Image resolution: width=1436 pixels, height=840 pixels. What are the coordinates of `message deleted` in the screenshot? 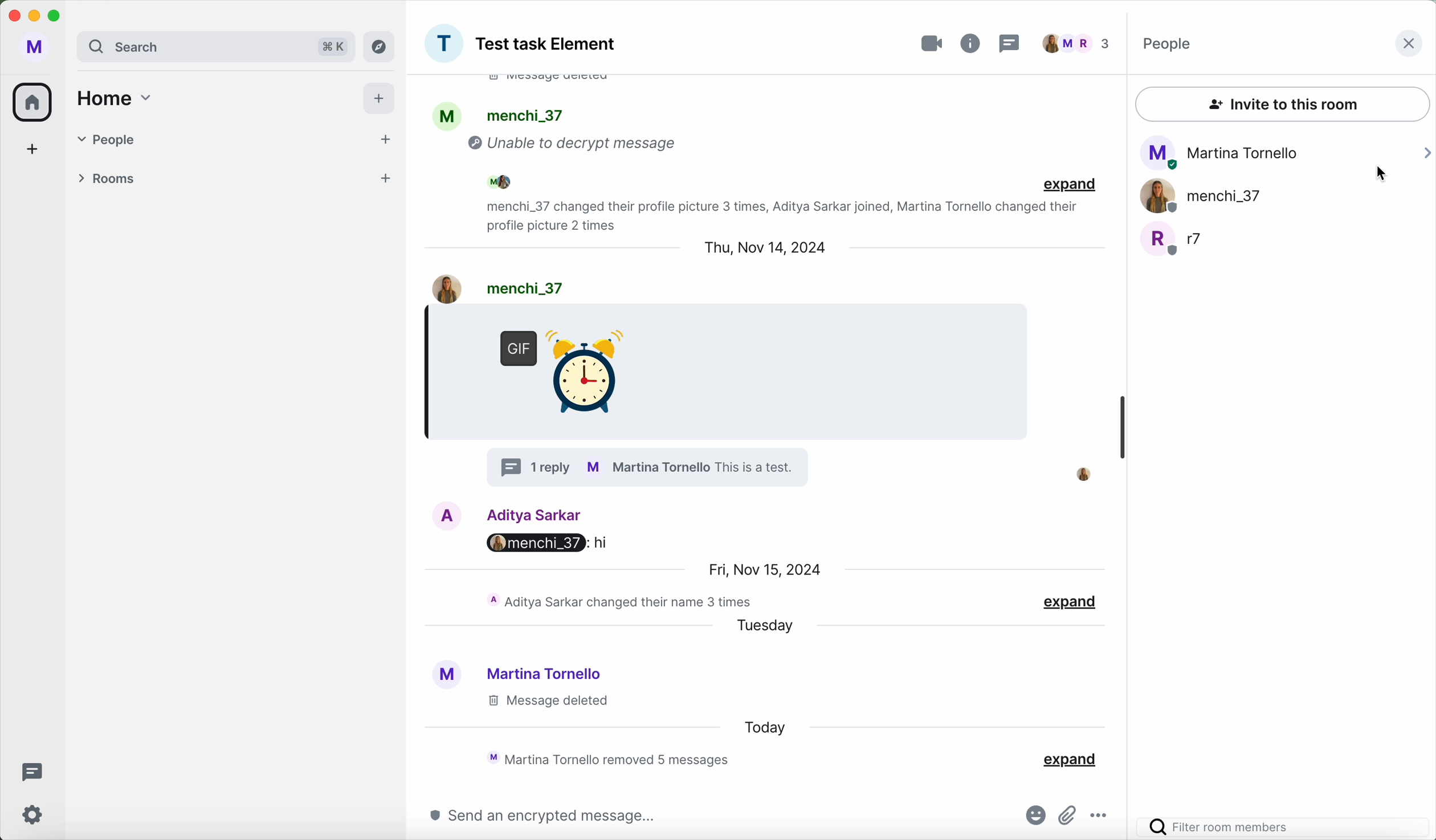 It's located at (561, 83).